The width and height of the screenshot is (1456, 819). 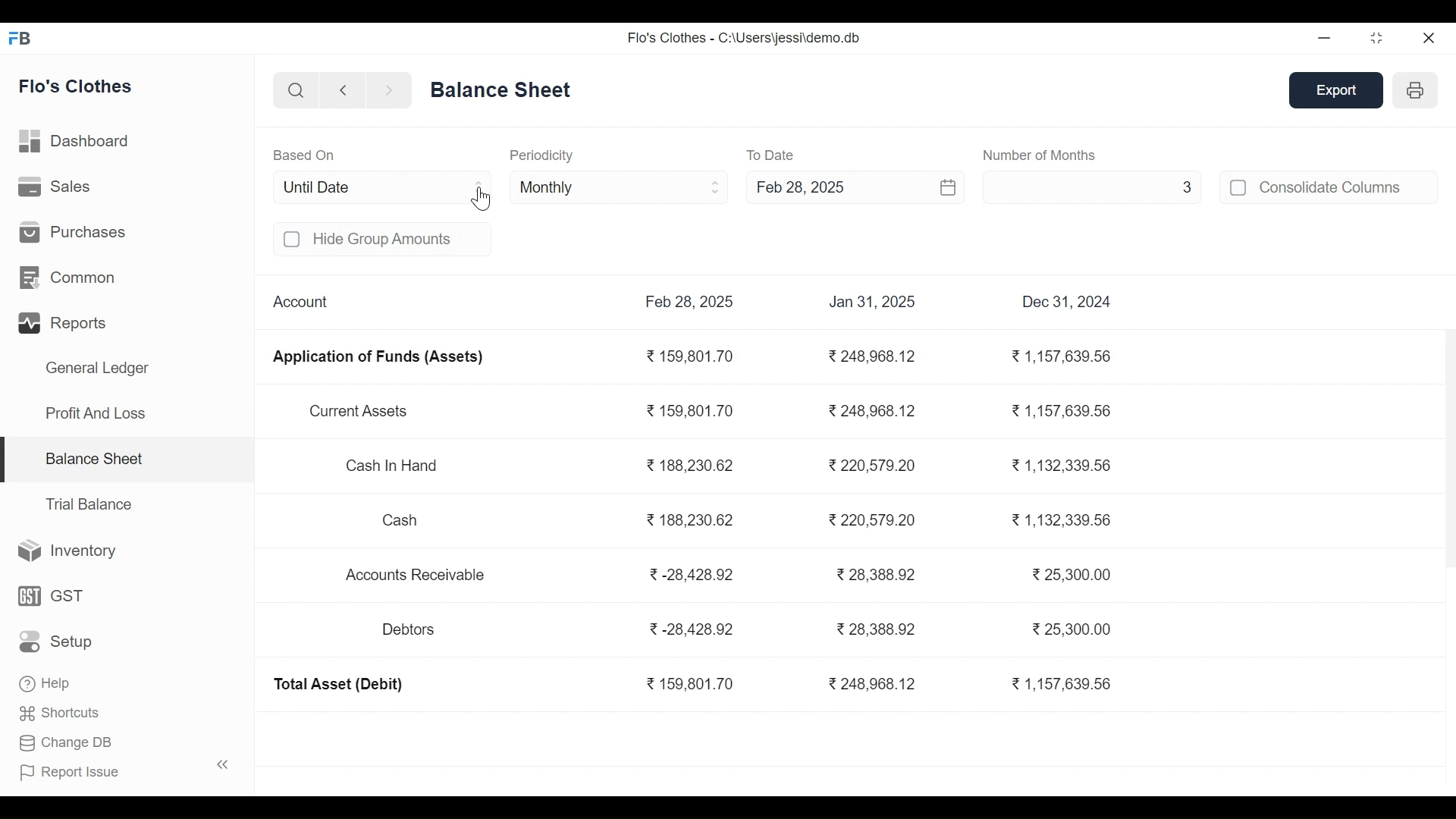 I want to click on Total Asset (Debit), so click(x=339, y=685).